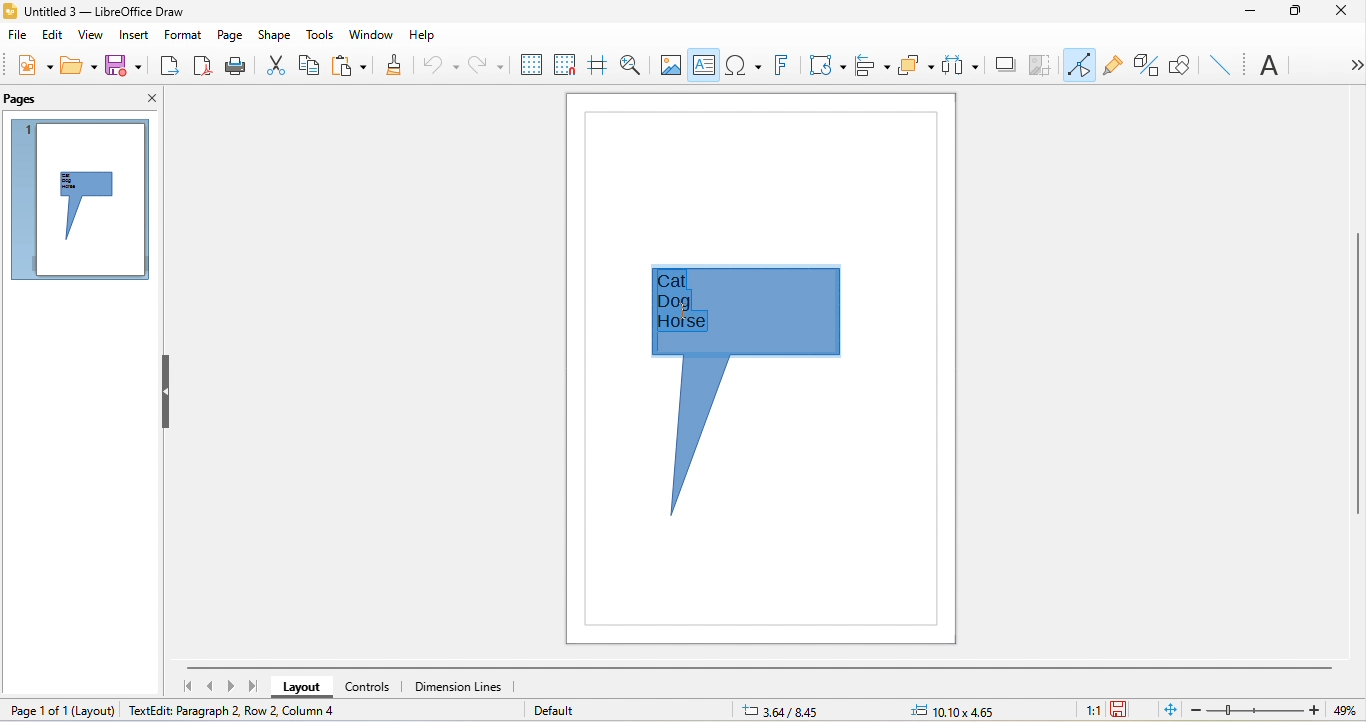 Image resolution: width=1366 pixels, height=722 pixels. Describe the element at coordinates (123, 66) in the screenshot. I see `save` at that location.